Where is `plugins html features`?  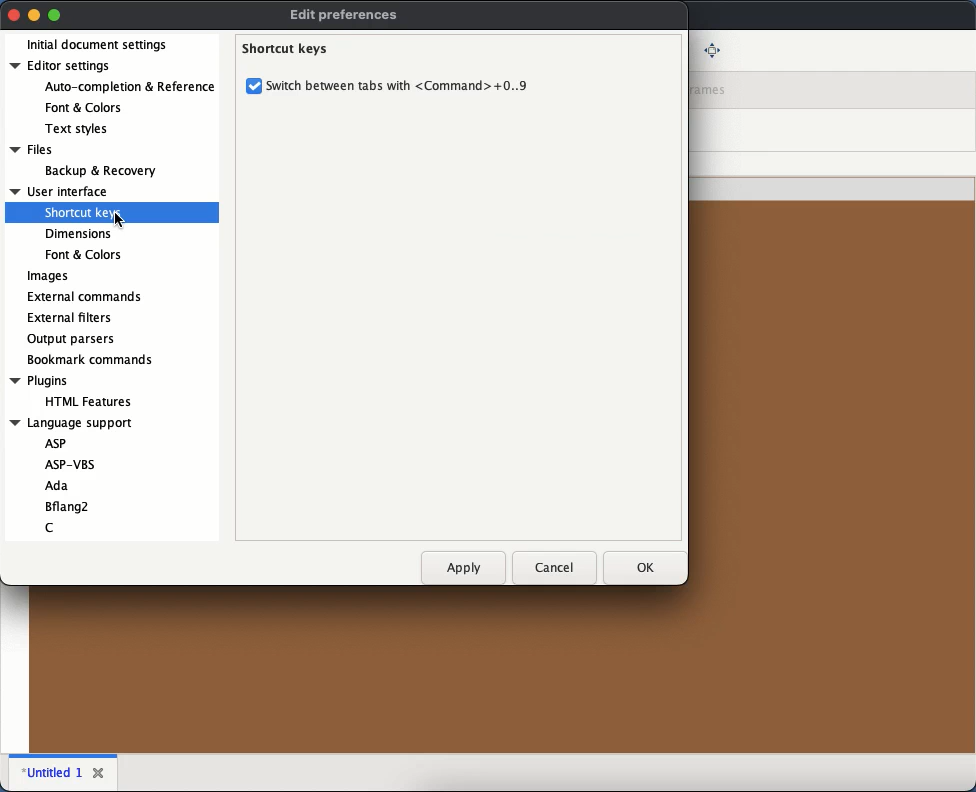
plugins html features is located at coordinates (40, 381).